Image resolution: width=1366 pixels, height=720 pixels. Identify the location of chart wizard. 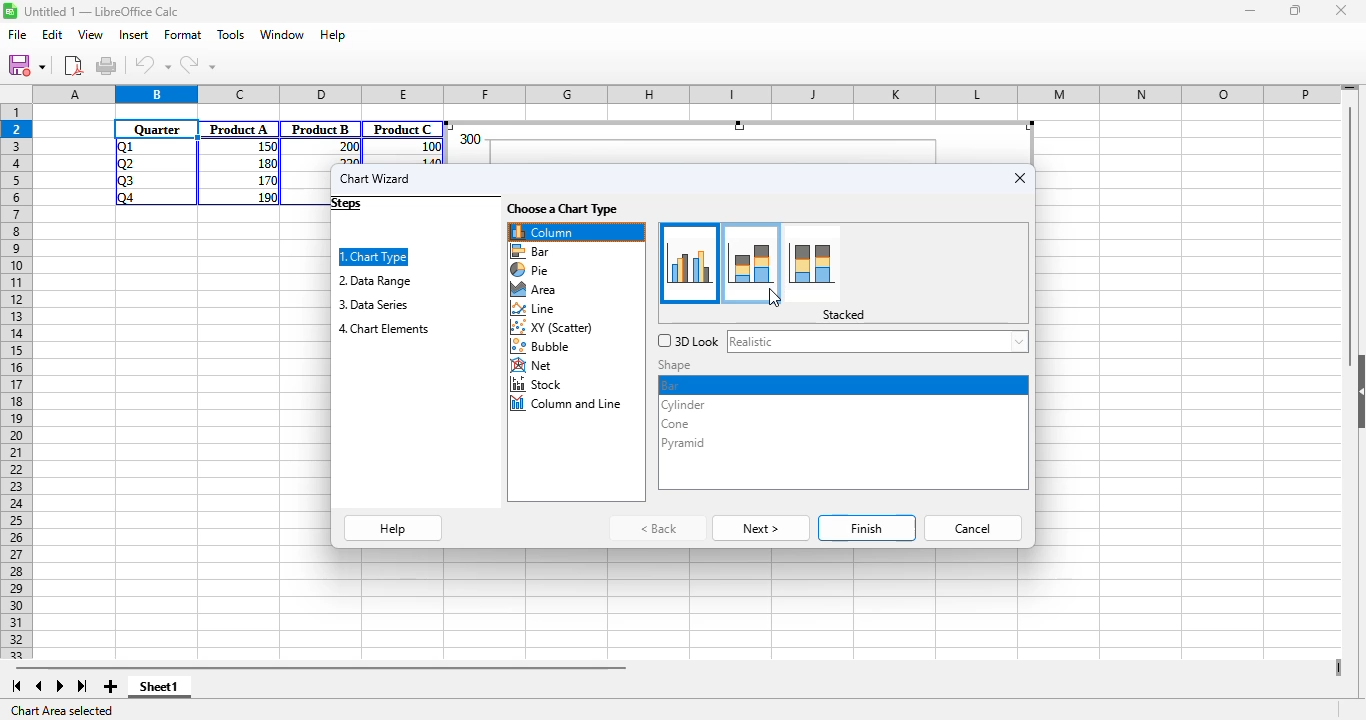
(375, 178).